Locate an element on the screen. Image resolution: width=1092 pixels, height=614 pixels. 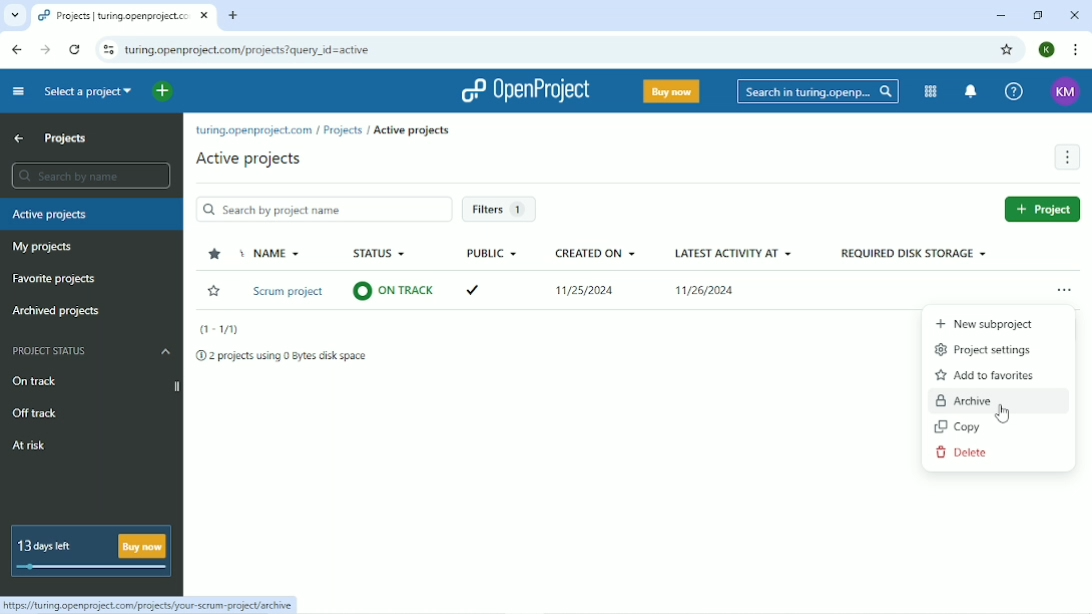
Open menu is located at coordinates (1065, 292).